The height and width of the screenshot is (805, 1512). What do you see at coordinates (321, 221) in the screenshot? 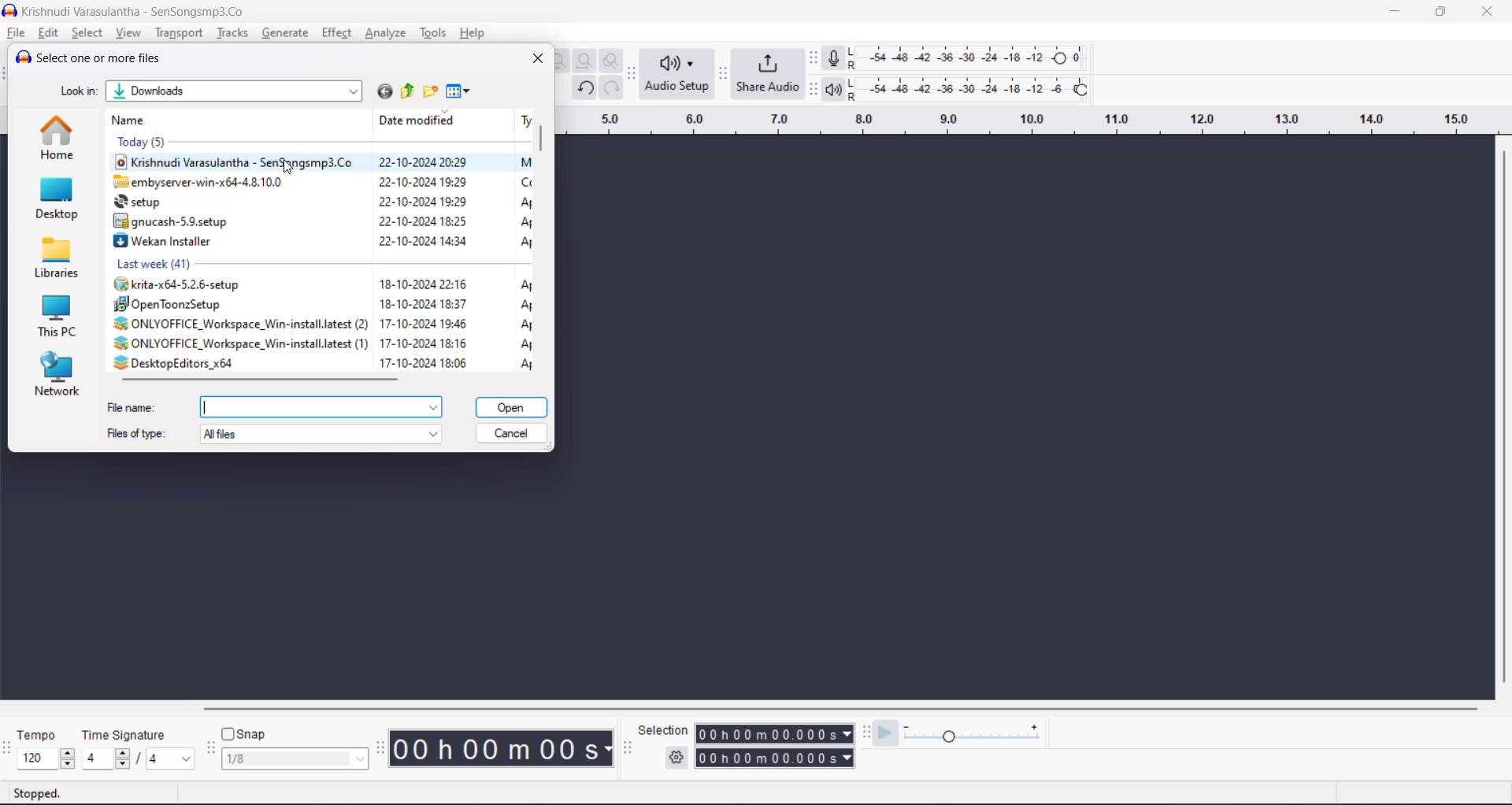
I see `8 gnucash-5.9.setup 22-10-2024 18:25 Ap` at bounding box center [321, 221].